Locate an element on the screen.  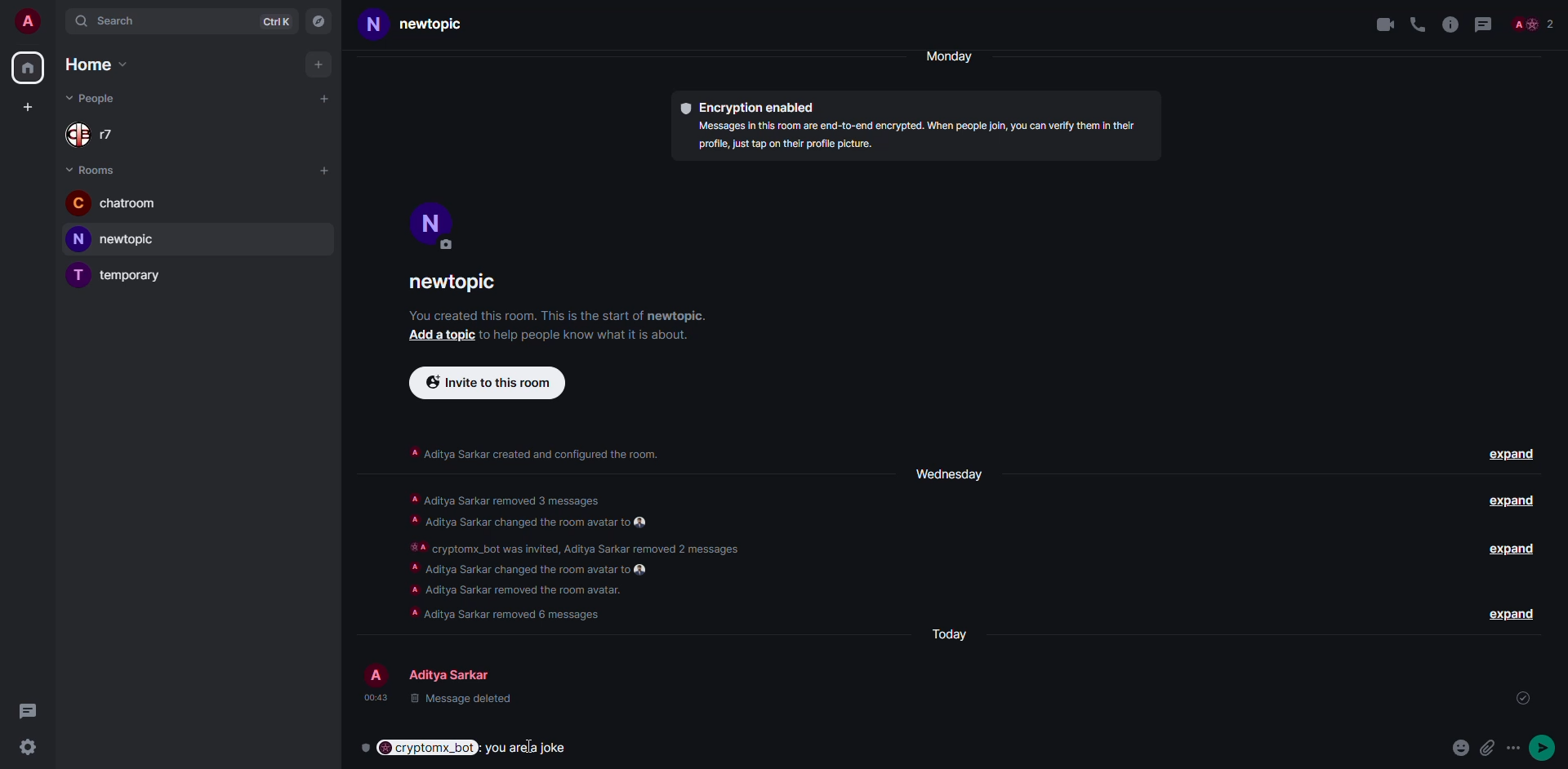
info is located at coordinates (921, 137).